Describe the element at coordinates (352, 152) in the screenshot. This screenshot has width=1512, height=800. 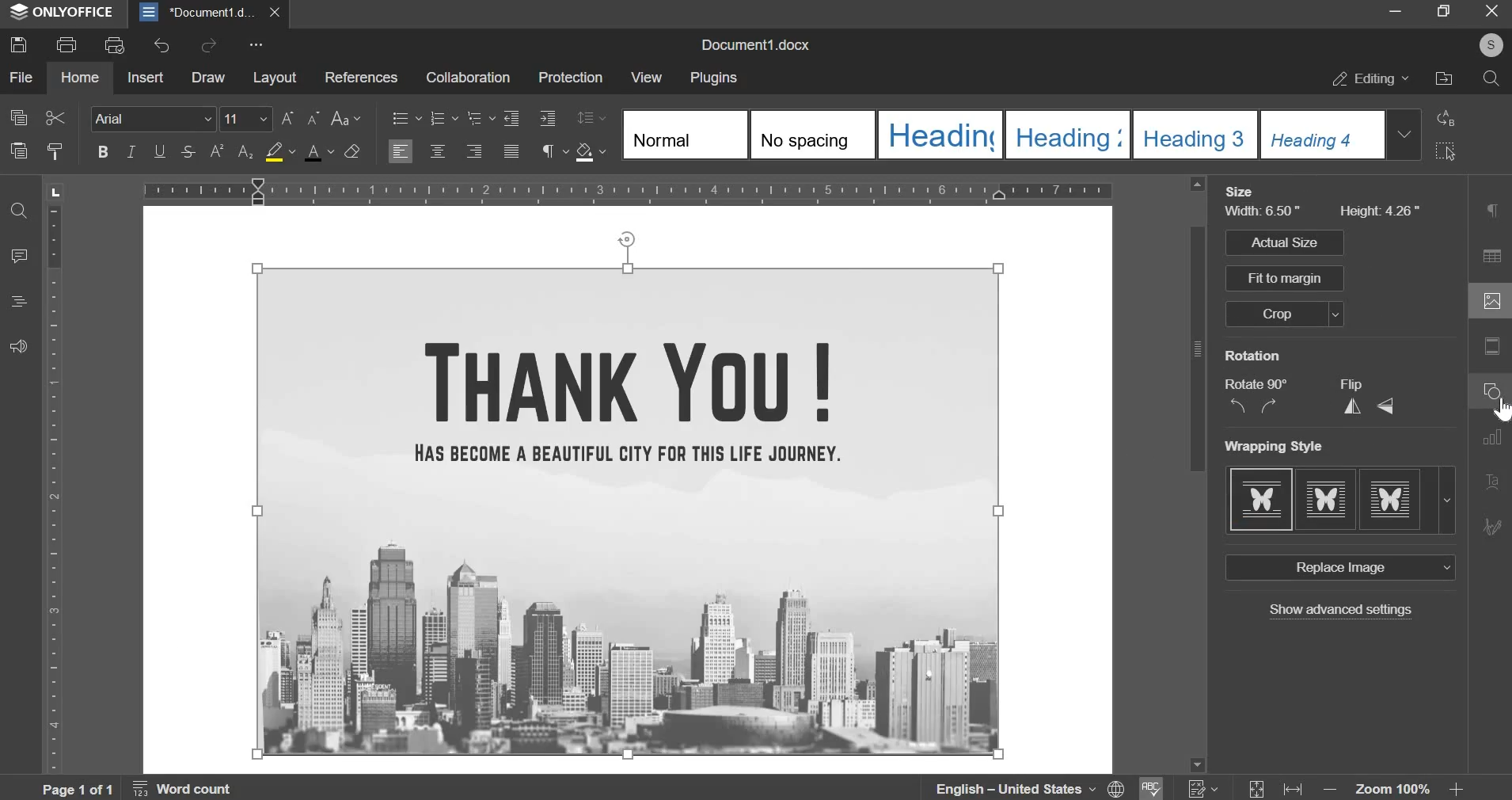
I see `clear style` at that location.